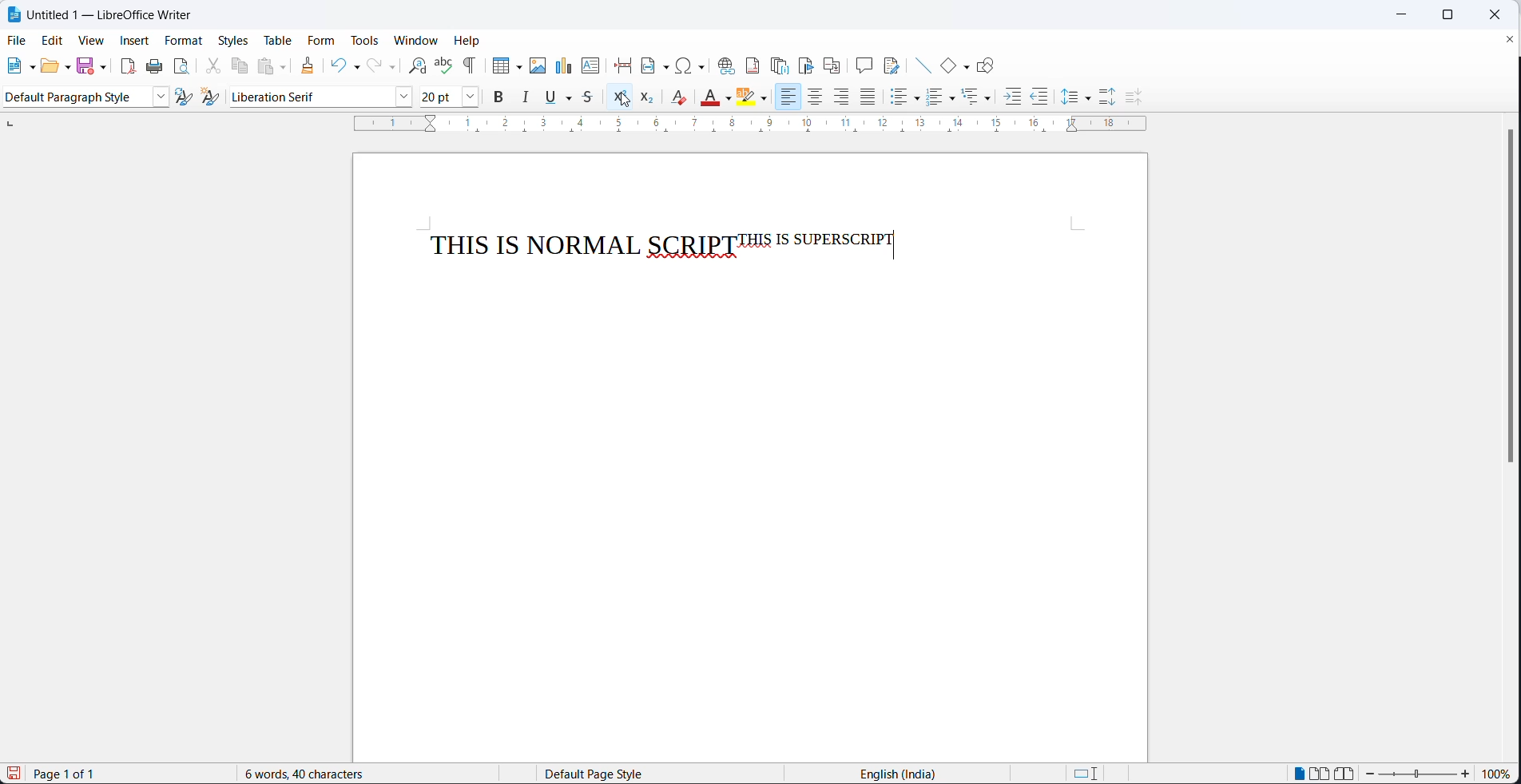 This screenshot has height=784, width=1521. I want to click on clear direct formatting , so click(681, 97).